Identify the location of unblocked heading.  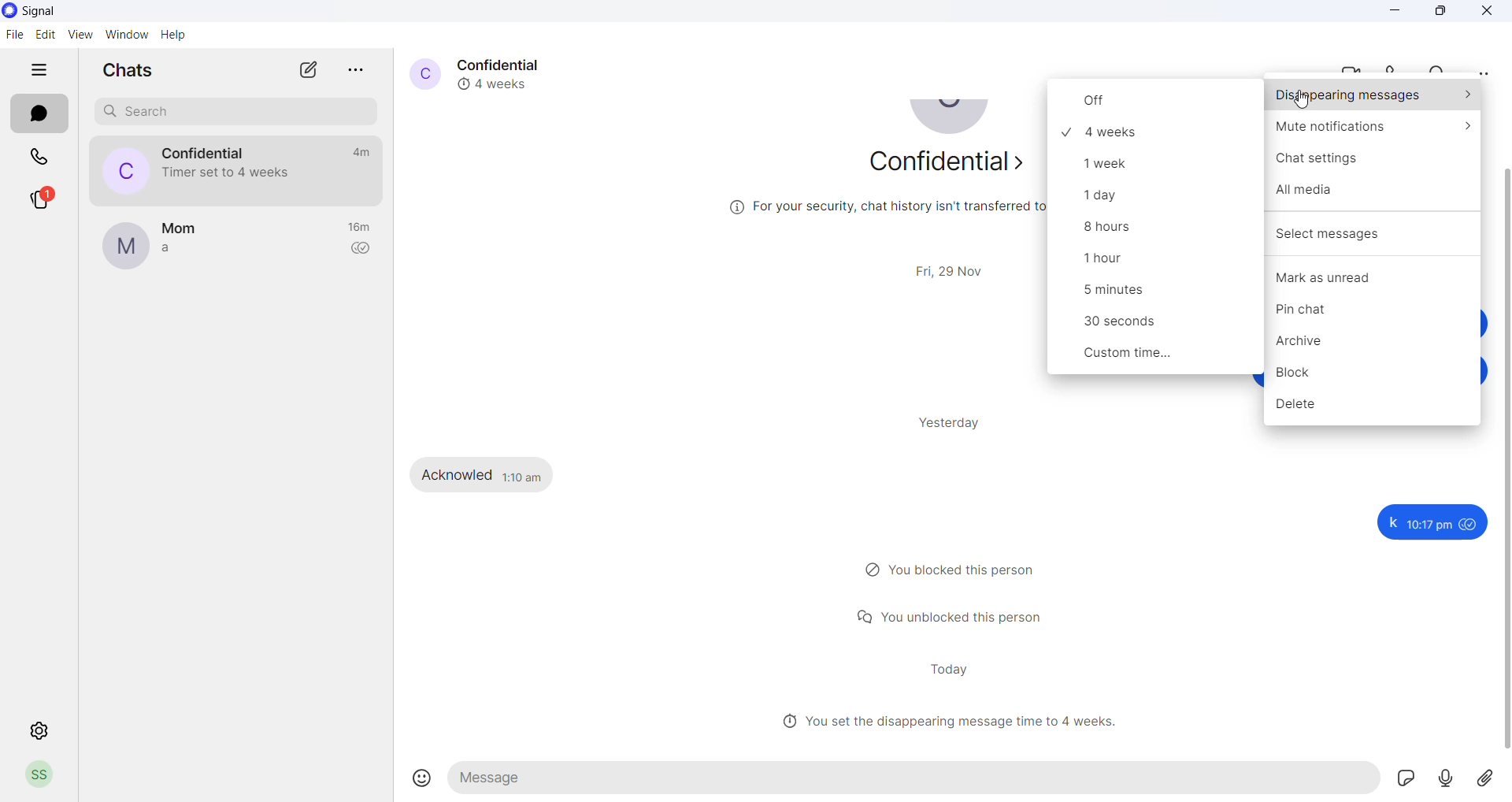
(958, 615).